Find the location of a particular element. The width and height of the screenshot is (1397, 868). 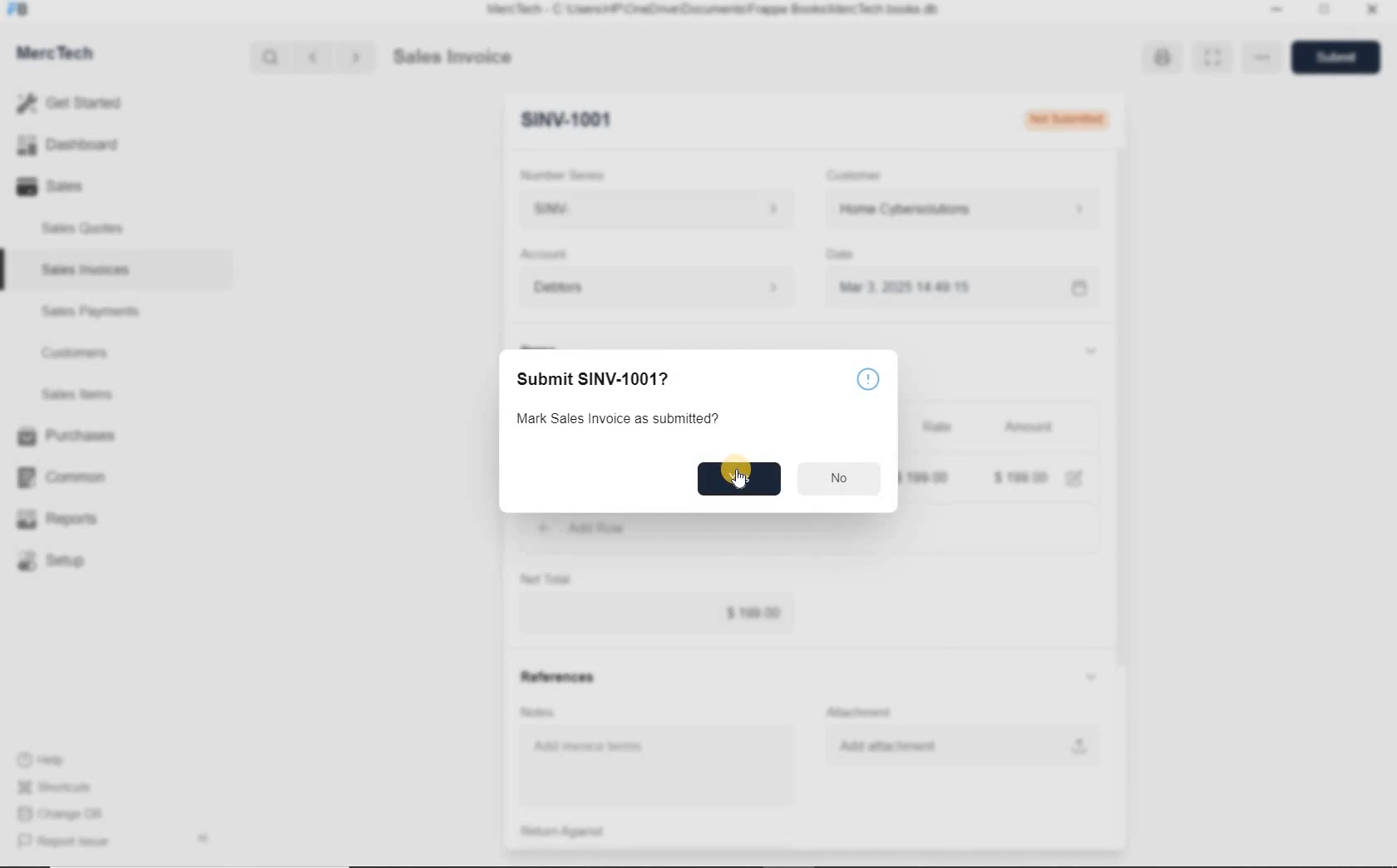

MercTech is located at coordinates (63, 57).